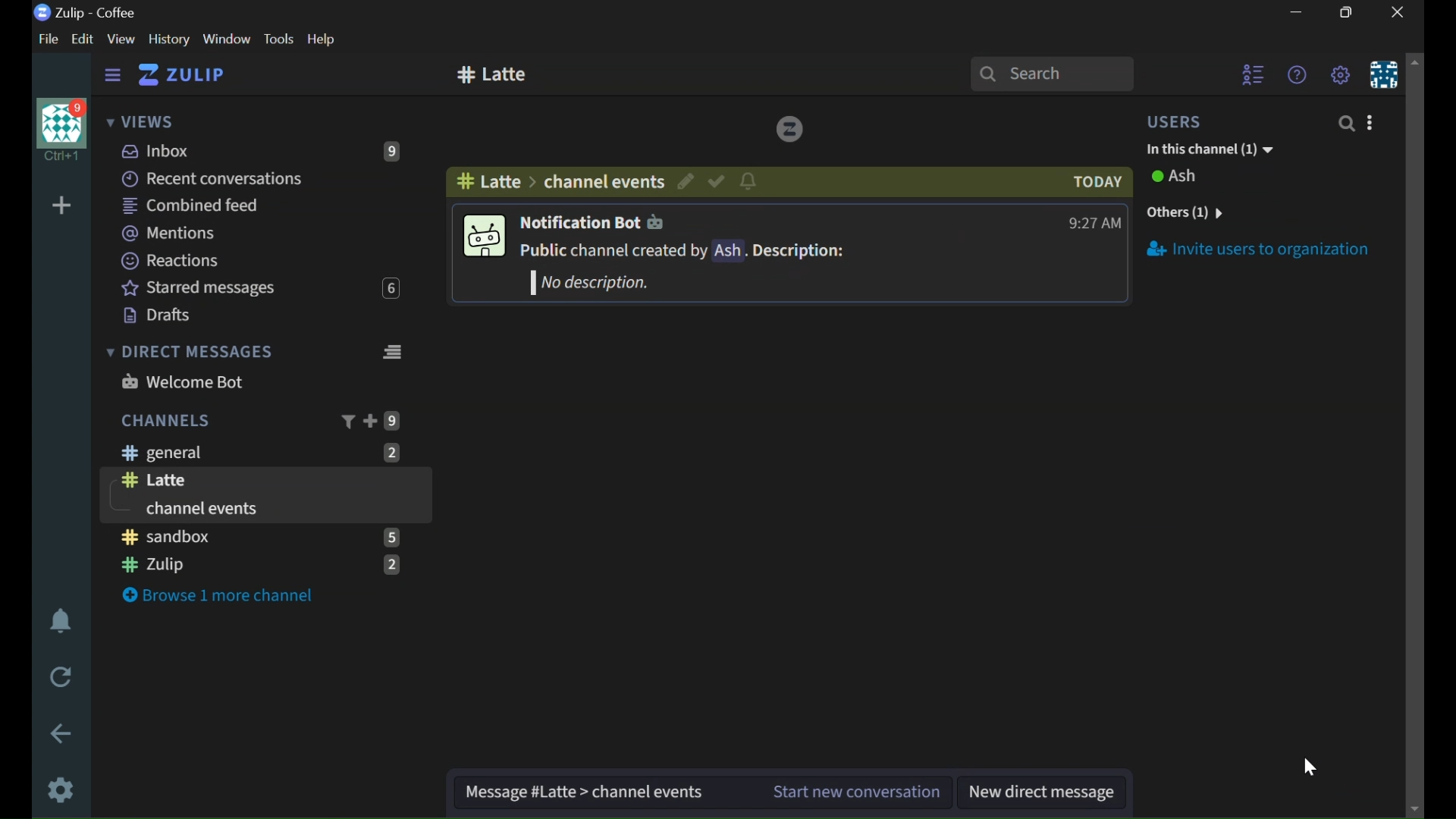 The image size is (1456, 819). Describe the element at coordinates (322, 39) in the screenshot. I see `HELP` at that location.